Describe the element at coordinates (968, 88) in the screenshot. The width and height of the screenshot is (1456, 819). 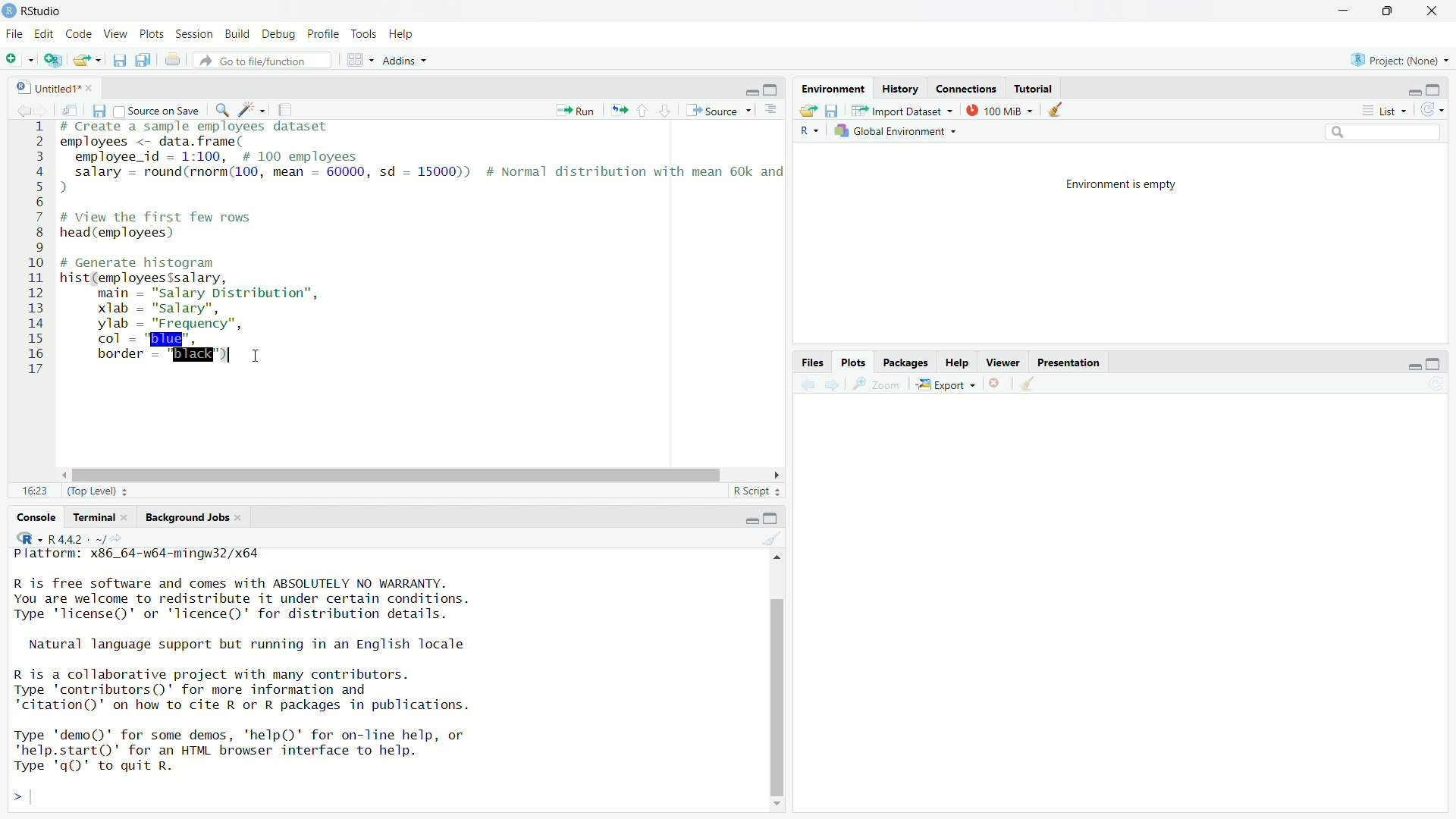
I see `Connections` at that location.